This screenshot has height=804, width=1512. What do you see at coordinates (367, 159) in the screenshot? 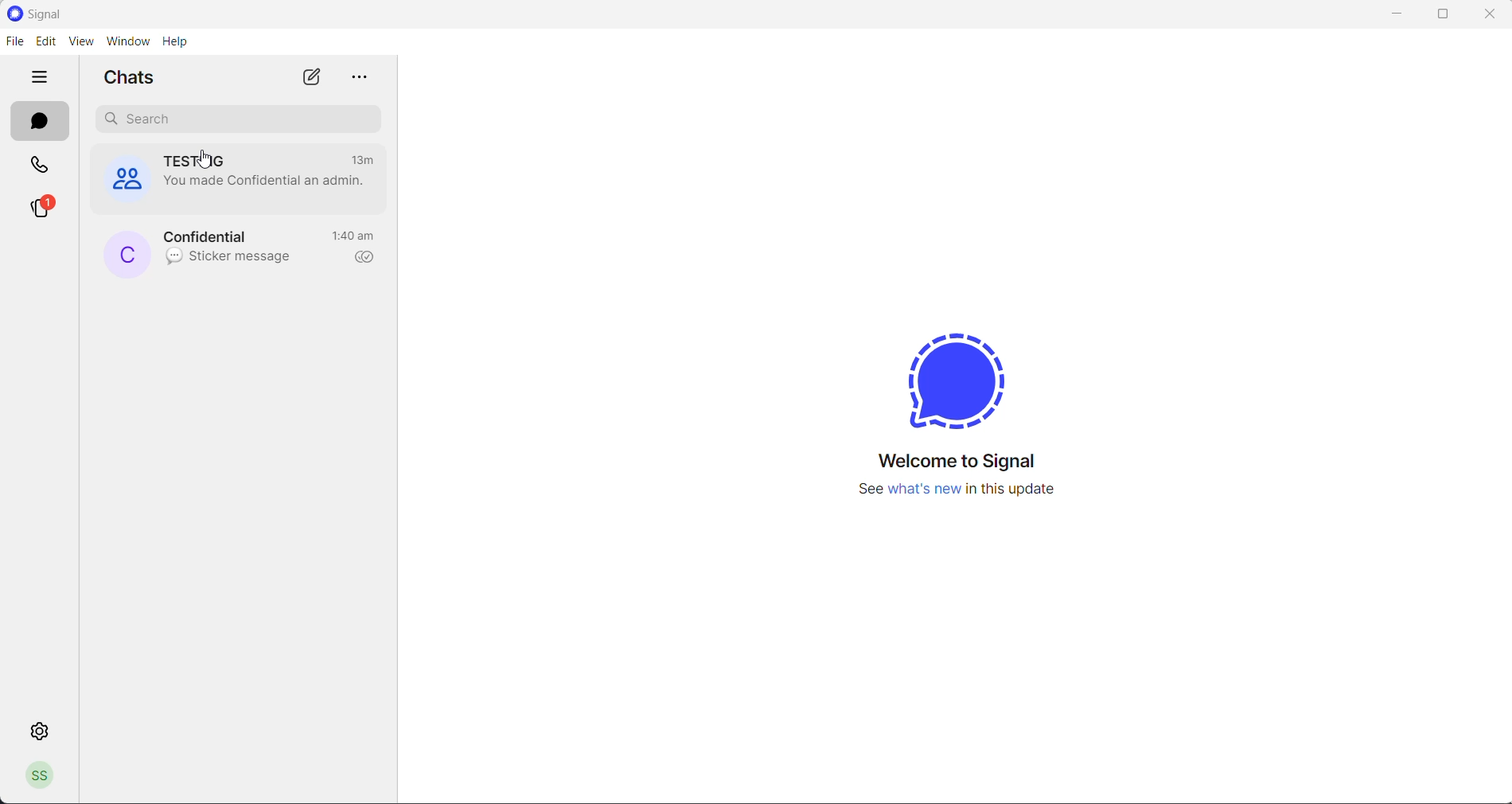
I see `last active time` at bounding box center [367, 159].